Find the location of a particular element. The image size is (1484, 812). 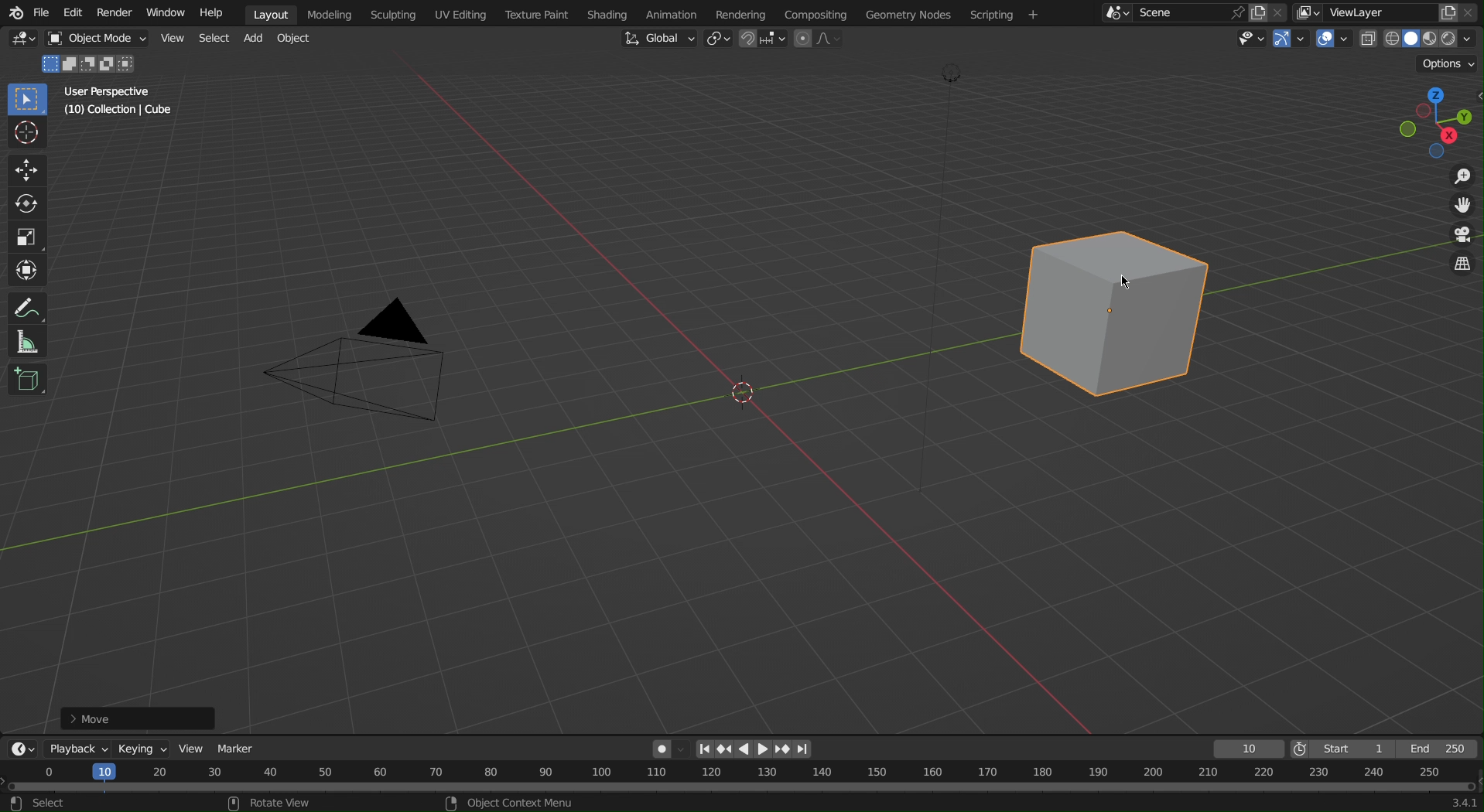

First page is located at coordinates (704, 749).